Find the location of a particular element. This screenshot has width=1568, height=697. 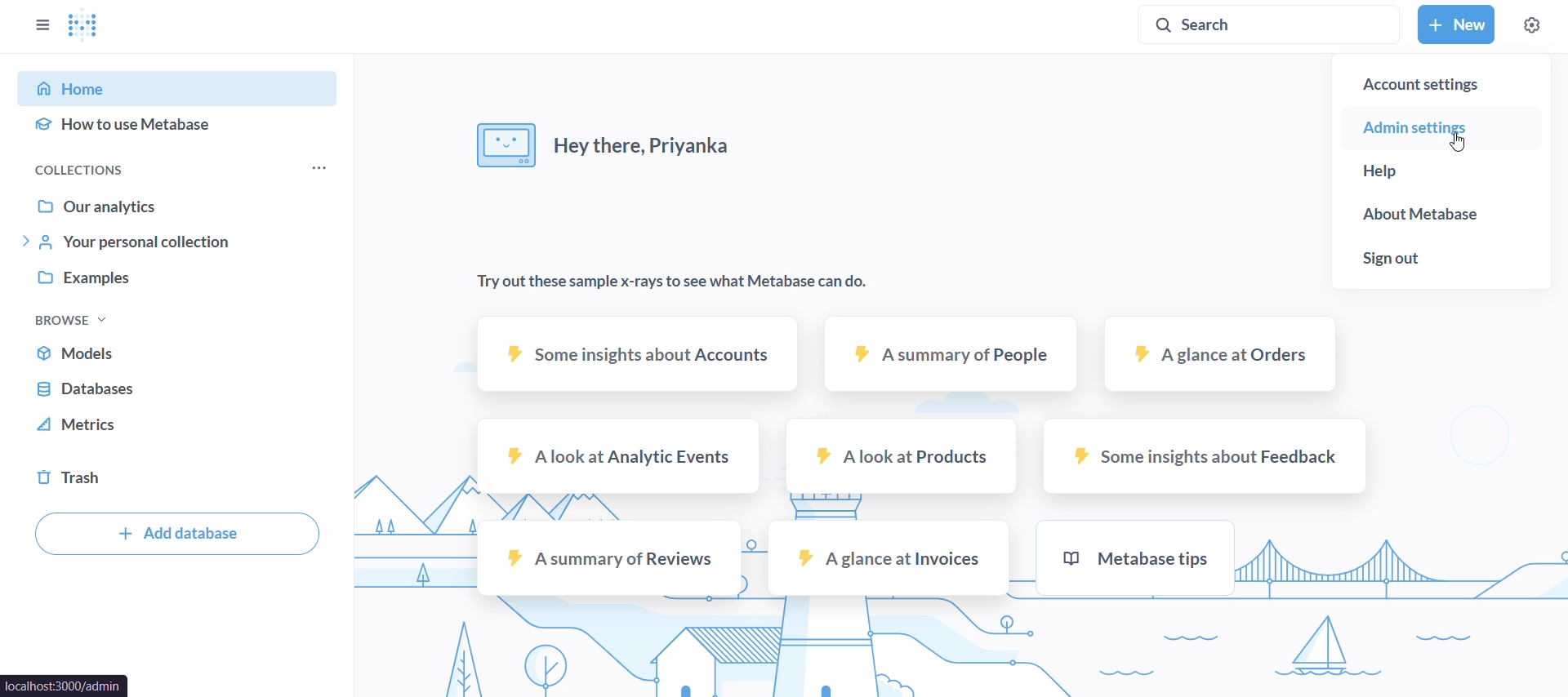

home is located at coordinates (185, 87).